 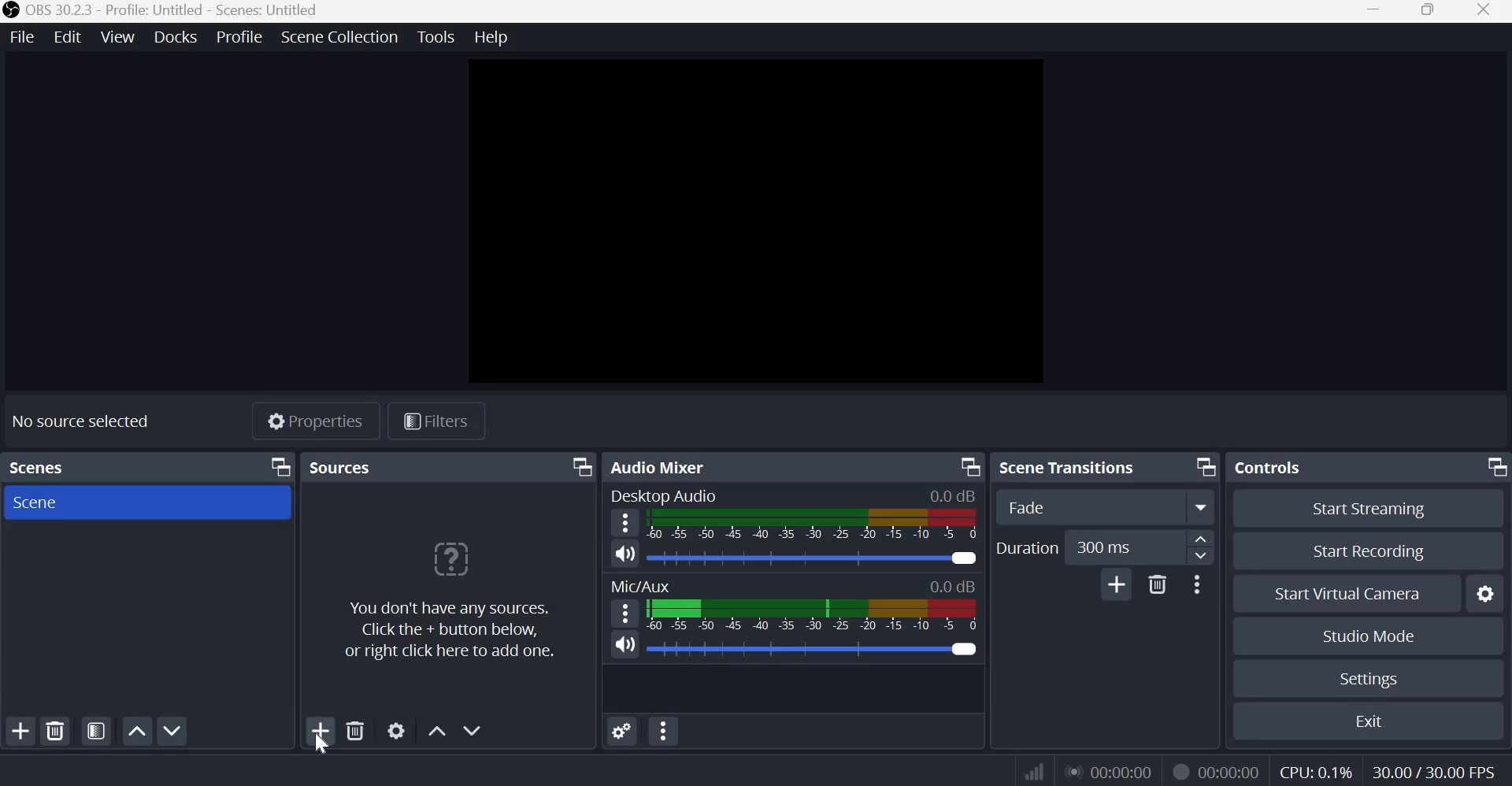 I want to click on Remove selected scene, so click(x=57, y=732).